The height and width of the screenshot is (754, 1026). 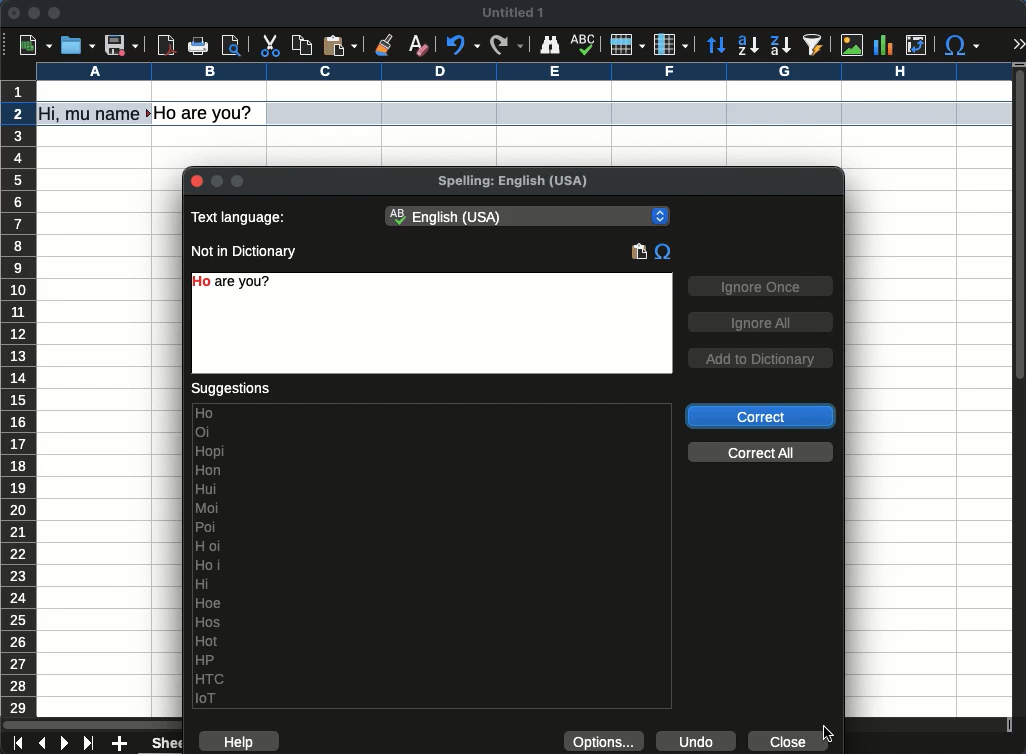 I want to click on column, so click(x=671, y=44).